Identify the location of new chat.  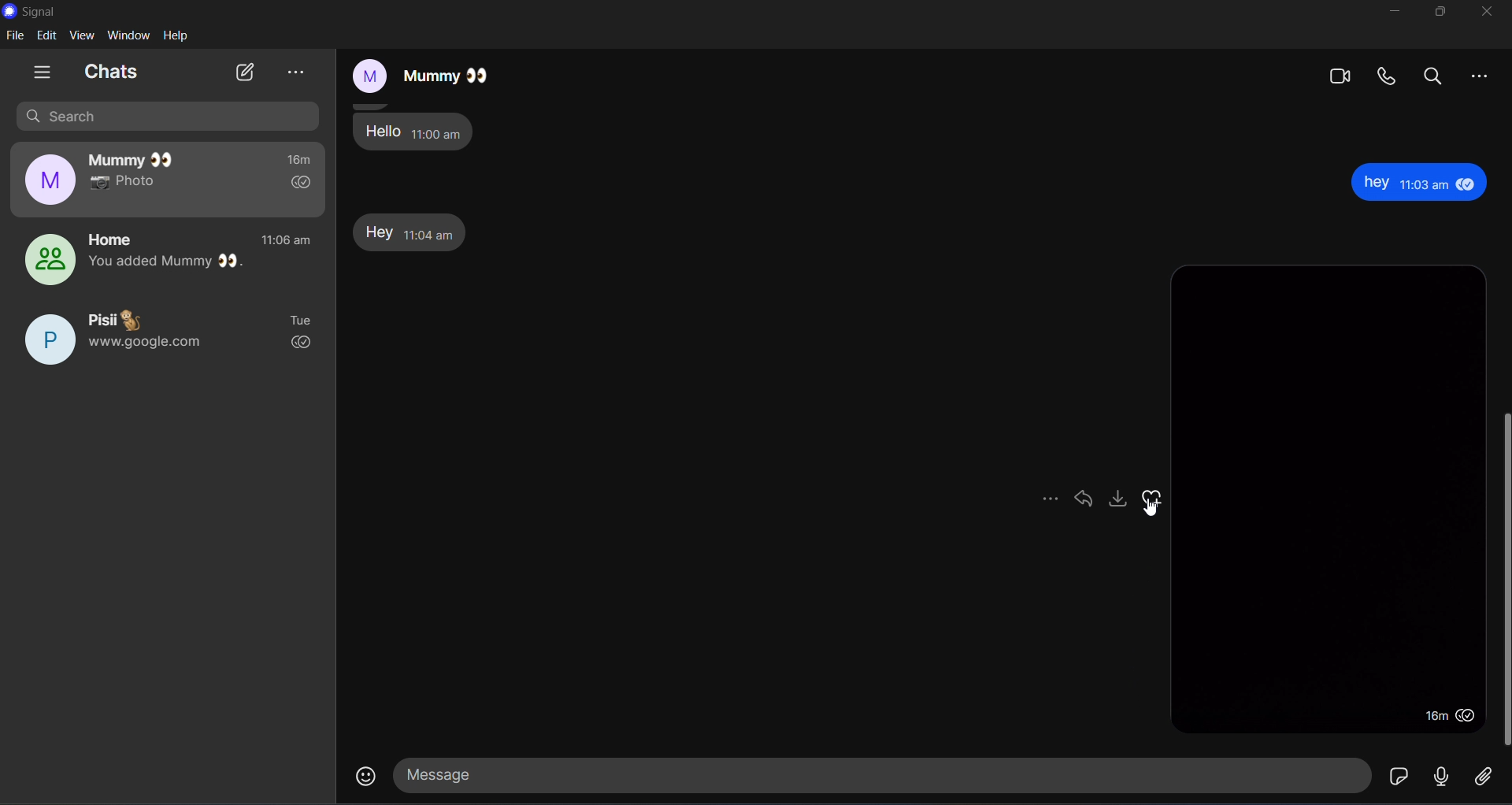
(245, 72).